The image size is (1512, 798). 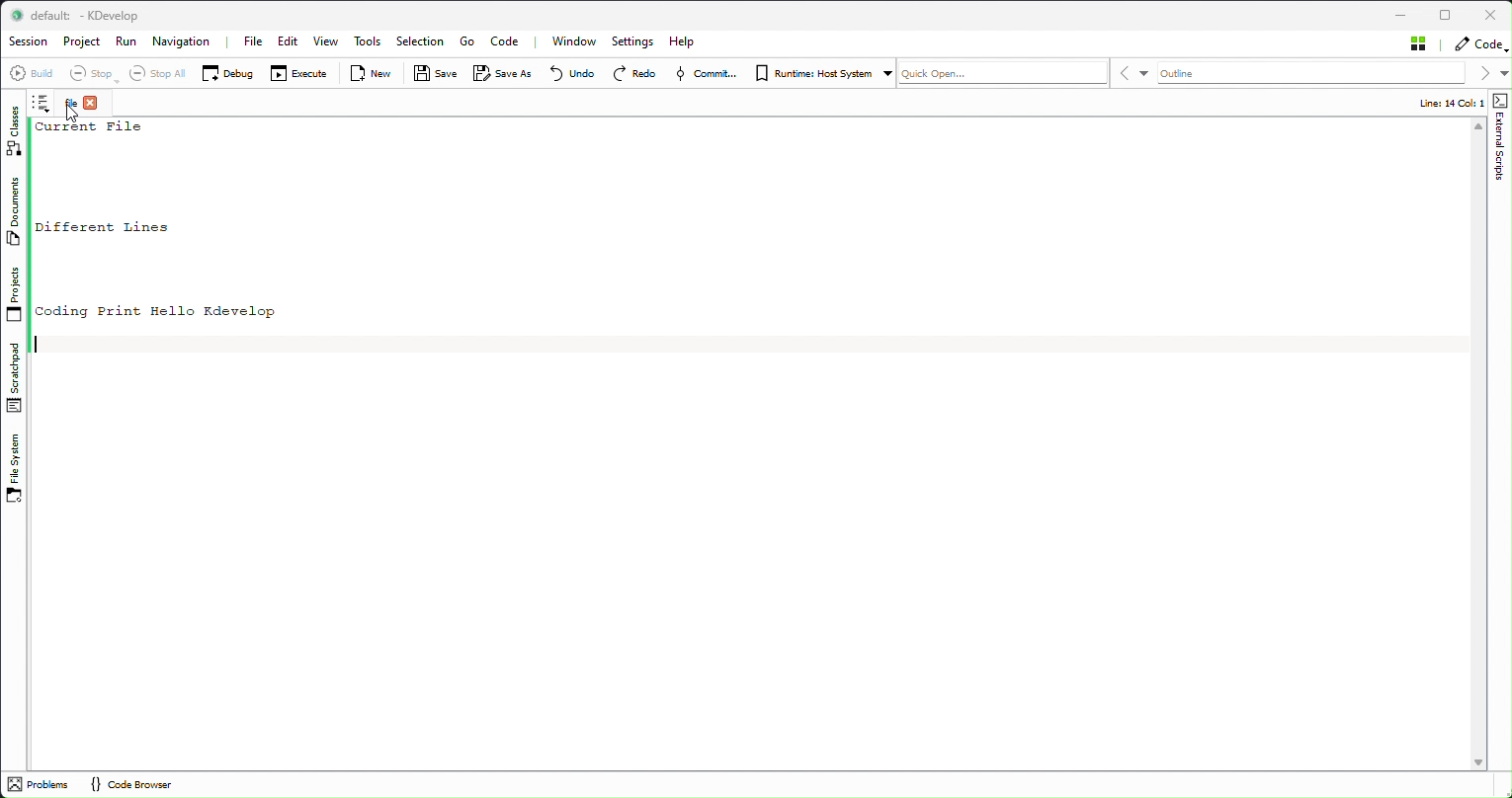 I want to click on Quickopen, so click(x=1003, y=75).